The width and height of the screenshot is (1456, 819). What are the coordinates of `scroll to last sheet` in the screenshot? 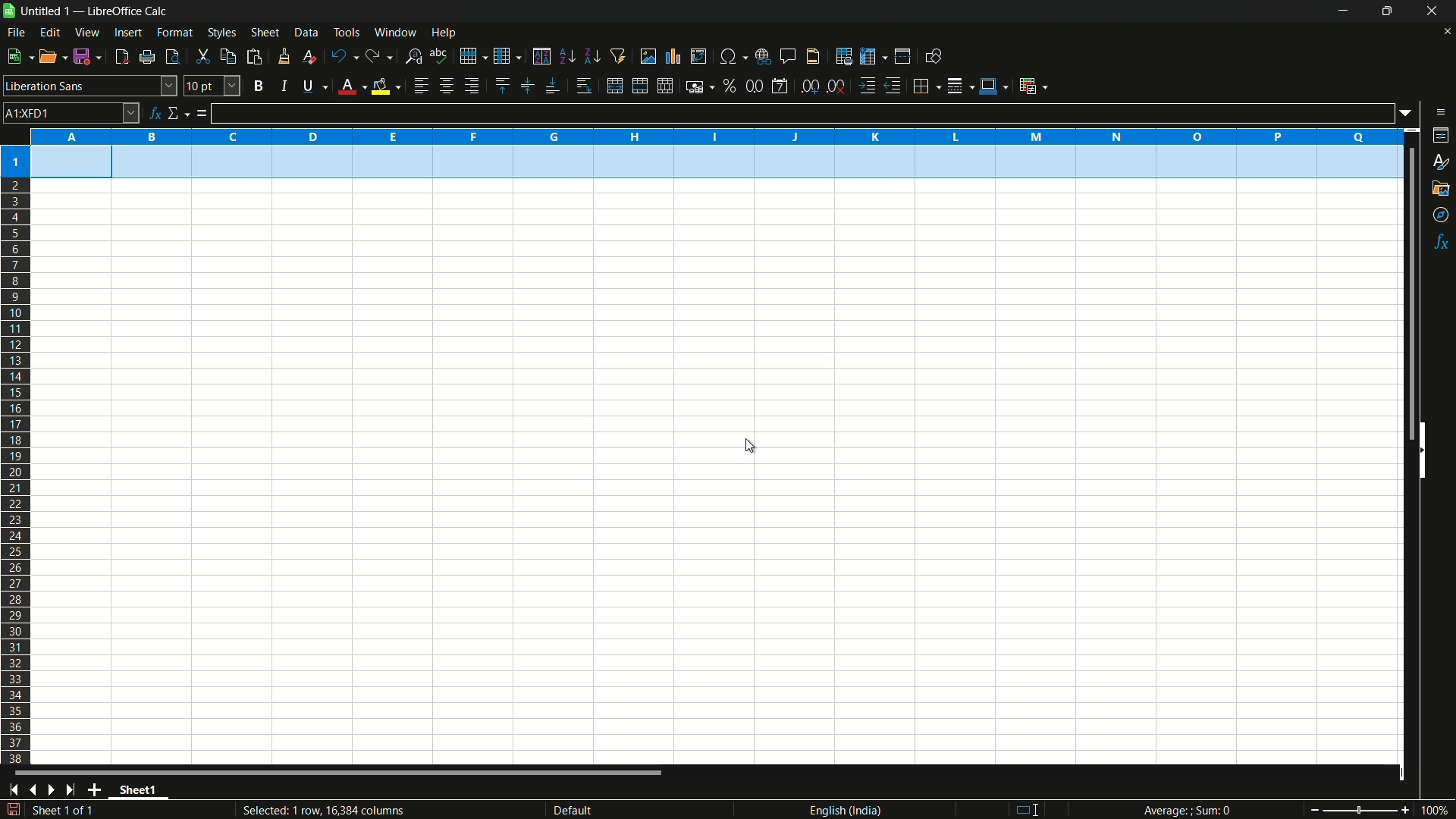 It's located at (75, 790).